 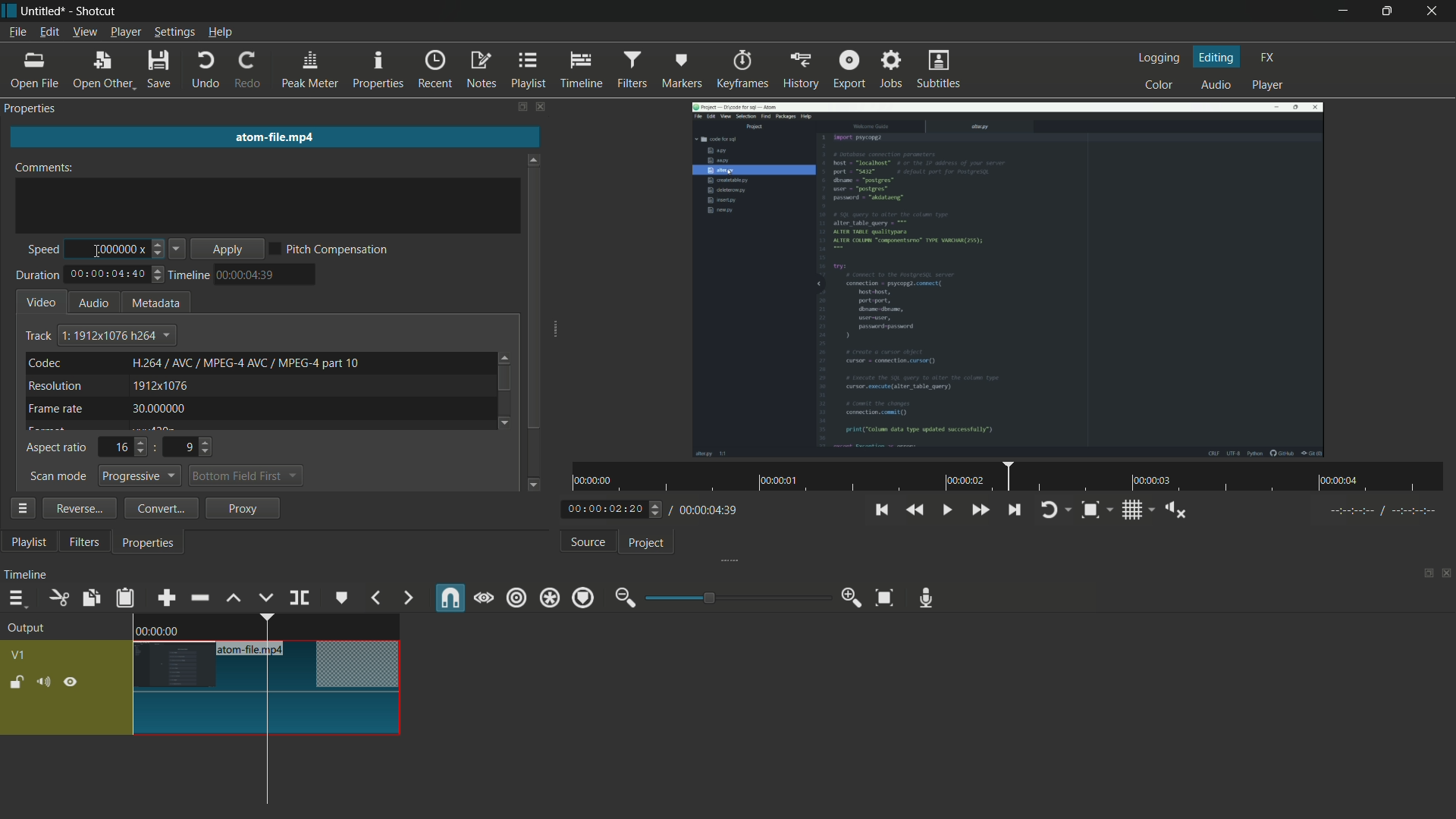 I want to click on history, so click(x=800, y=70).